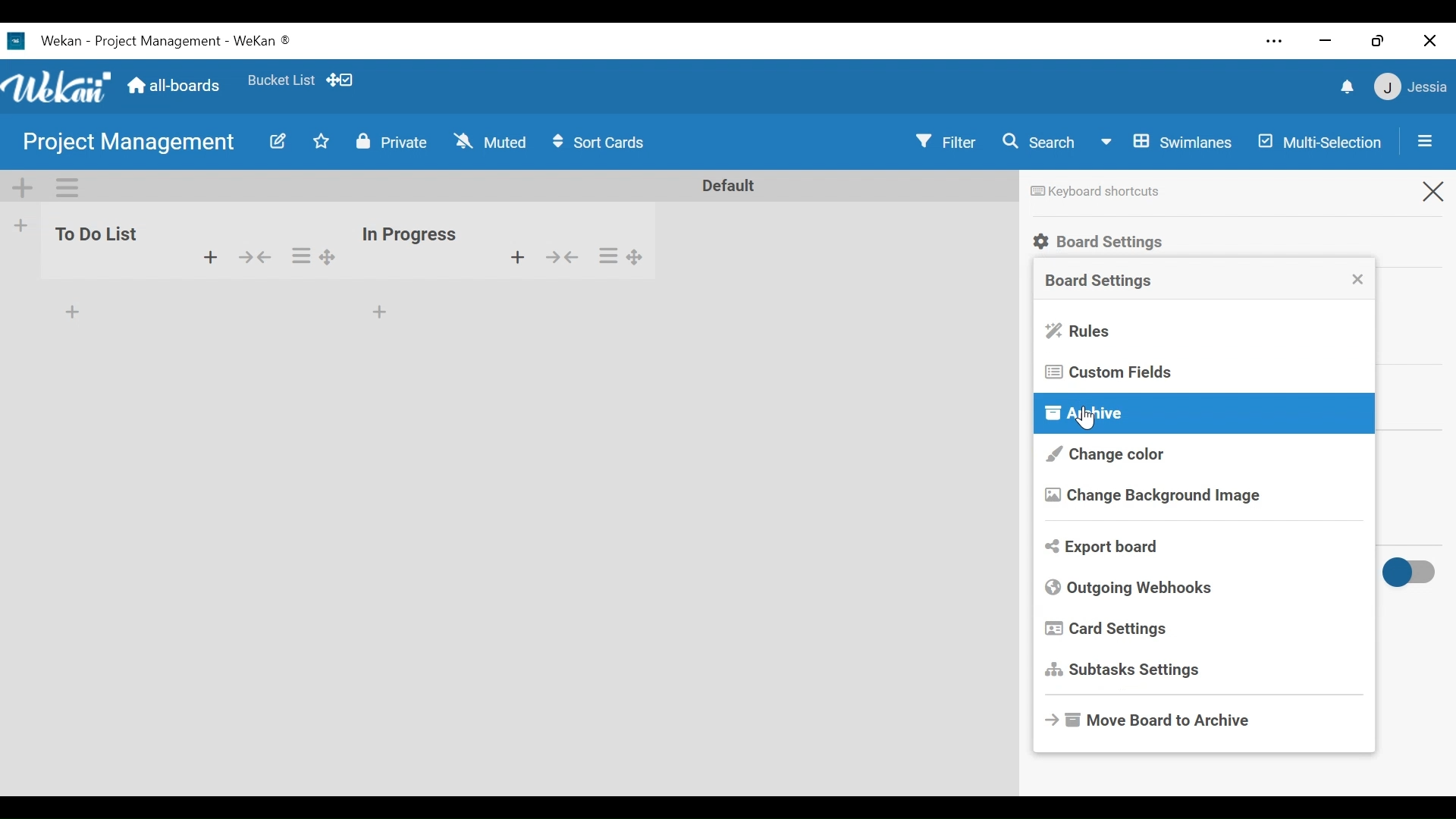  What do you see at coordinates (311, 253) in the screenshot?
I see `options` at bounding box center [311, 253].